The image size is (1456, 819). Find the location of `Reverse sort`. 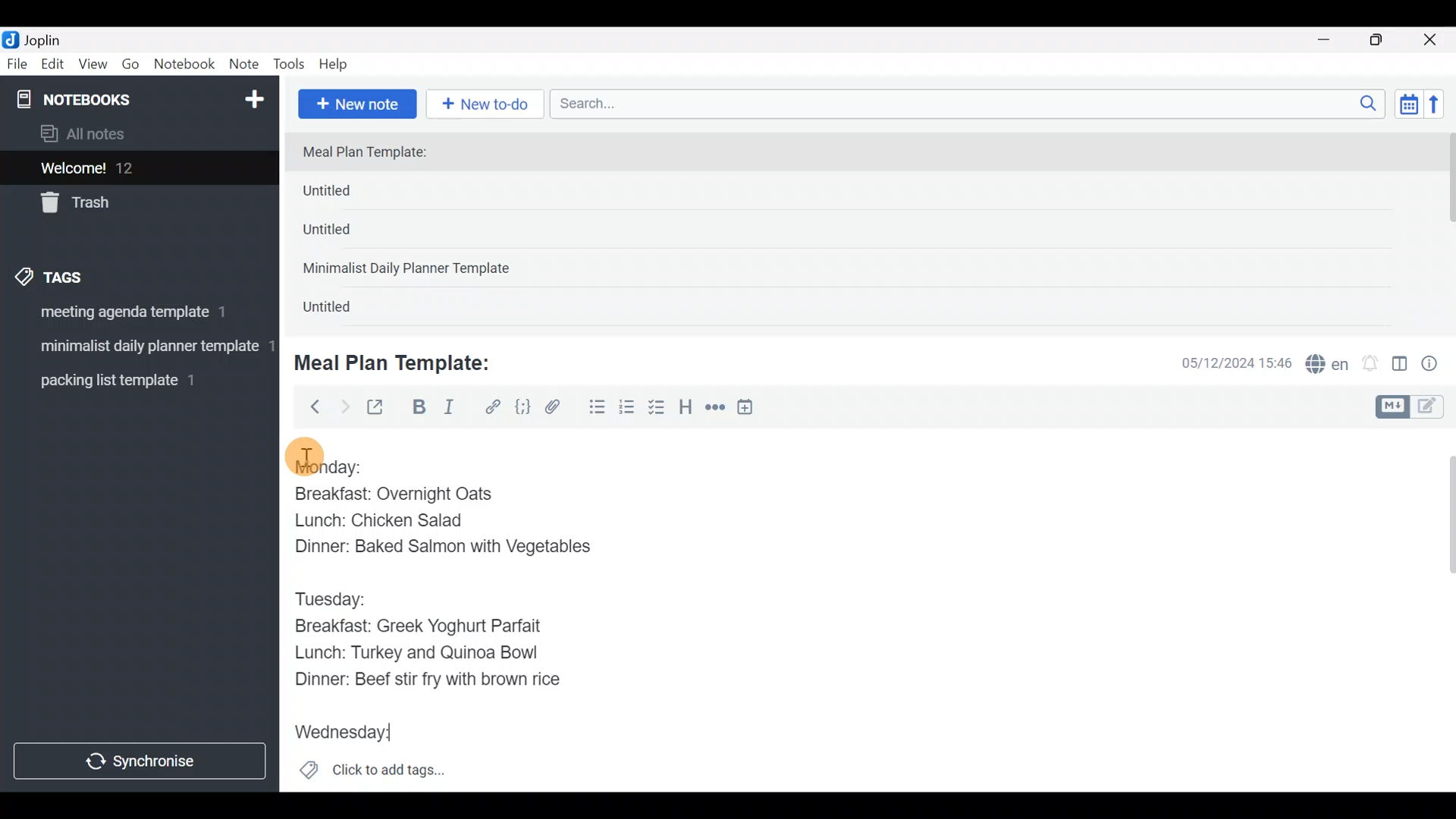

Reverse sort is located at coordinates (1442, 108).